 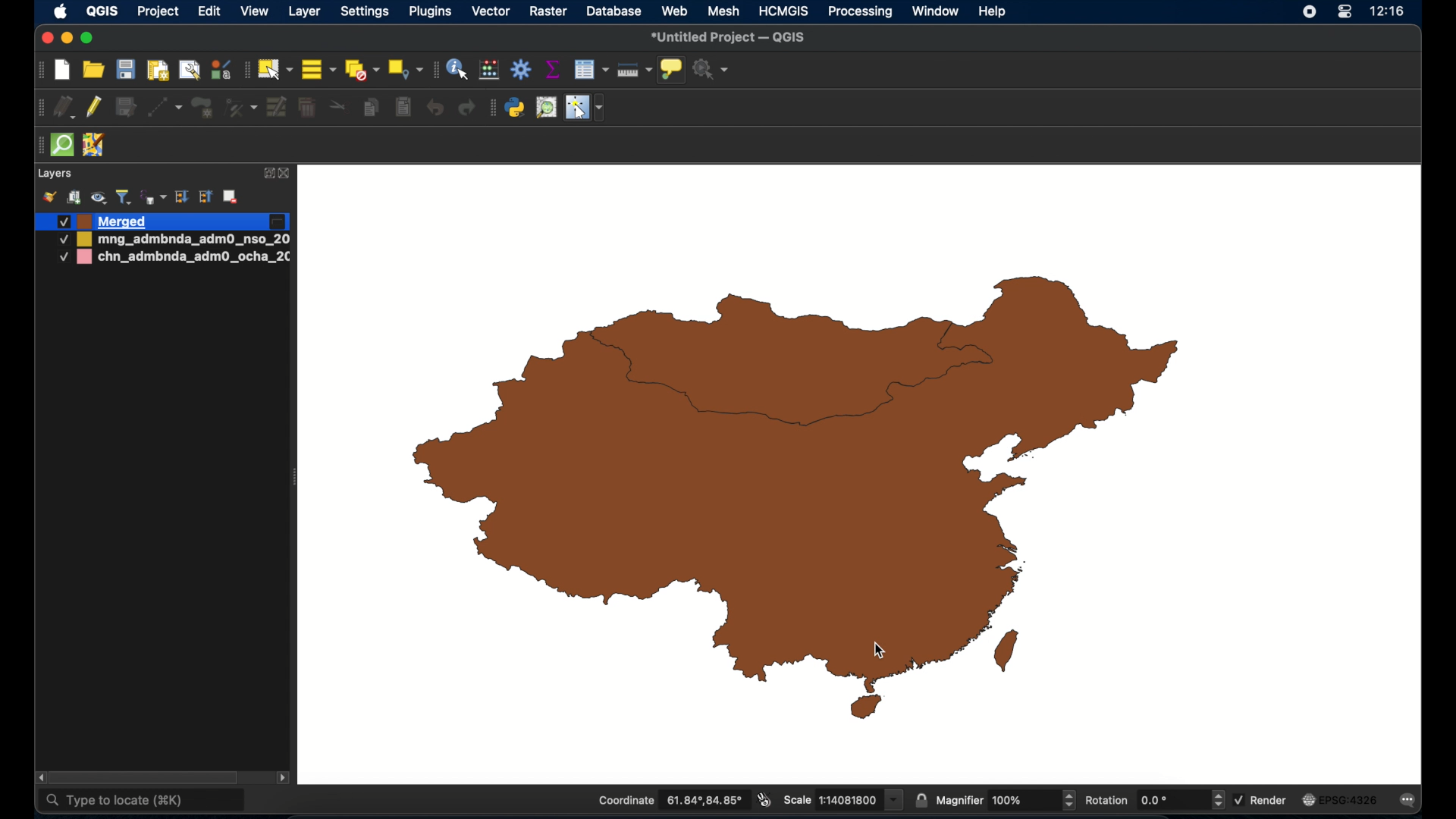 What do you see at coordinates (61, 11) in the screenshot?
I see `apple icon` at bounding box center [61, 11].